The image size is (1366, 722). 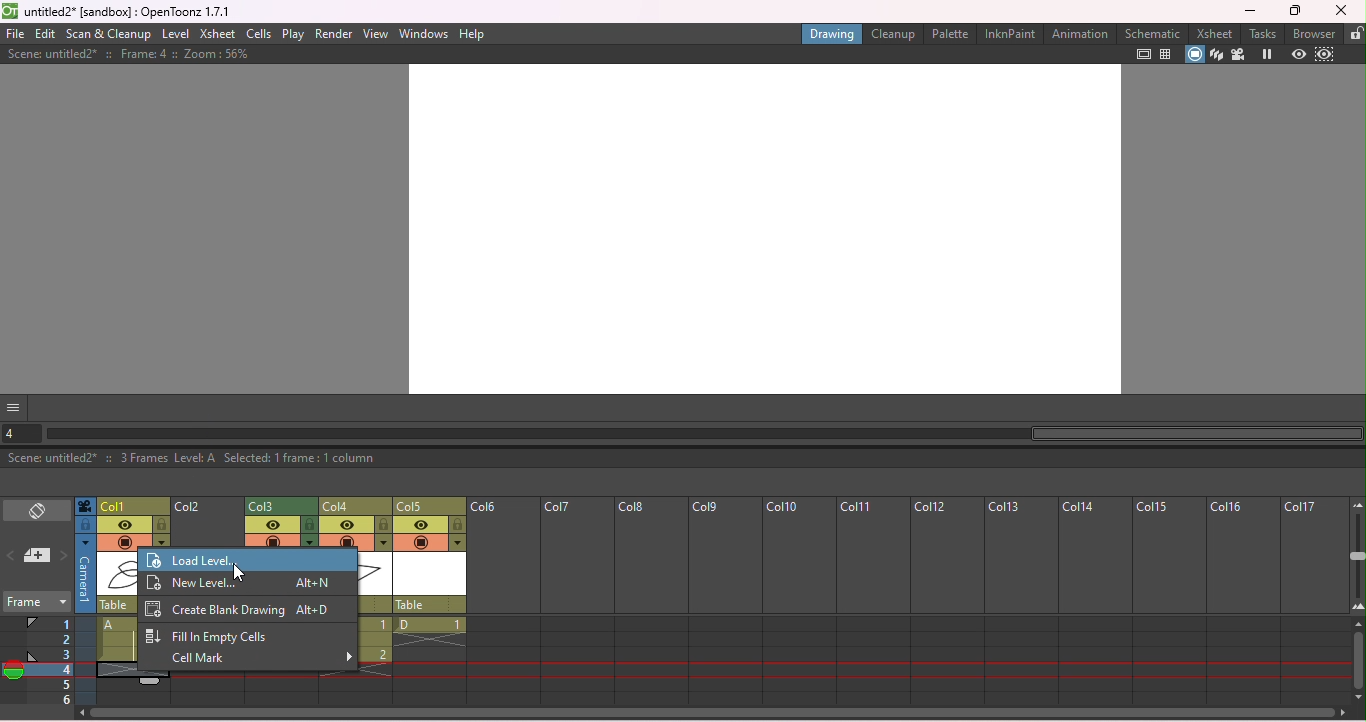 What do you see at coordinates (47, 34) in the screenshot?
I see `Edit` at bounding box center [47, 34].